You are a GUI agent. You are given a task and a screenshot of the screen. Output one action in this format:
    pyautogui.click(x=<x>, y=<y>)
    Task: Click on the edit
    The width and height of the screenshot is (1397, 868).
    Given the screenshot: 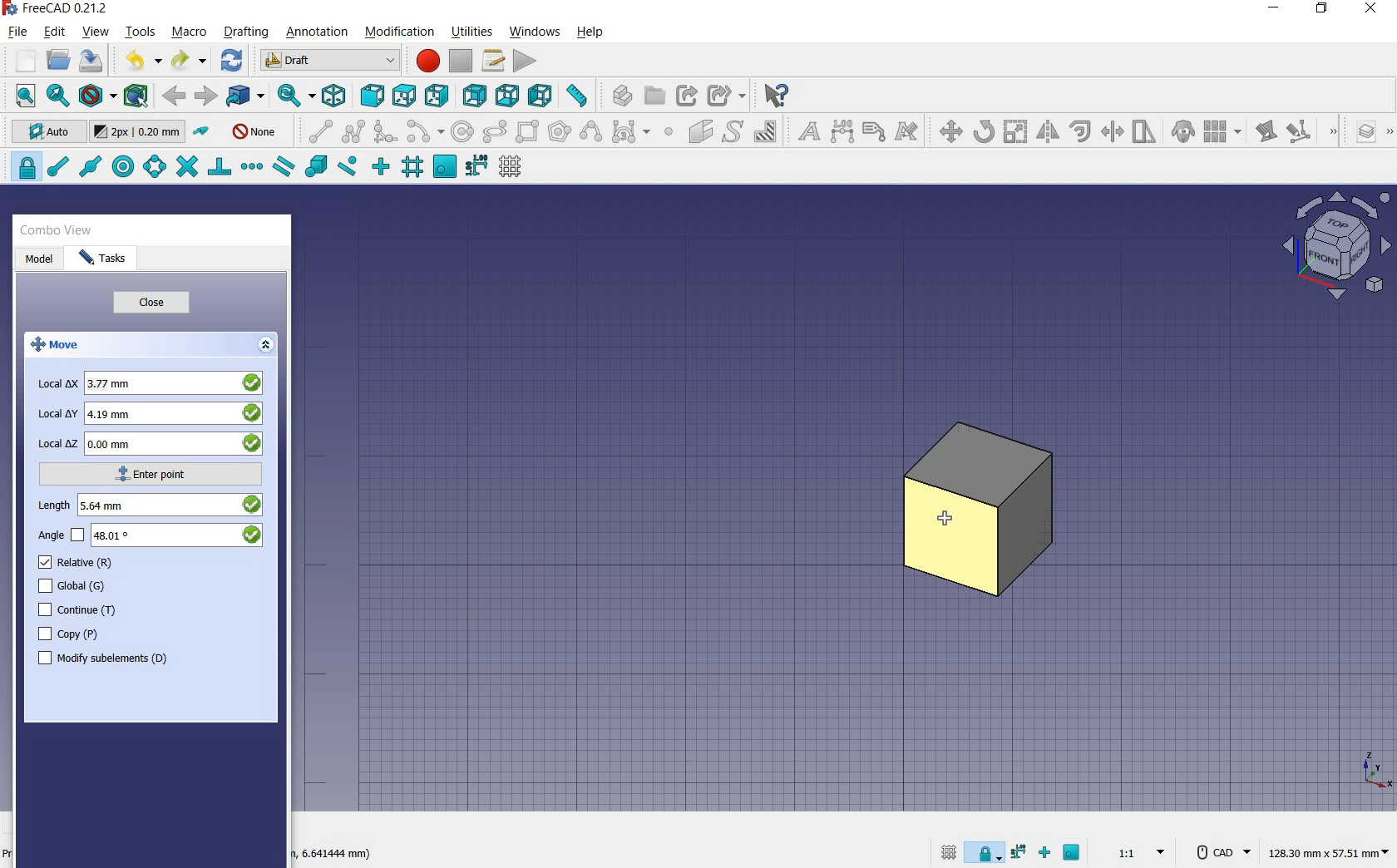 What is the action you would take?
    pyautogui.click(x=1266, y=131)
    